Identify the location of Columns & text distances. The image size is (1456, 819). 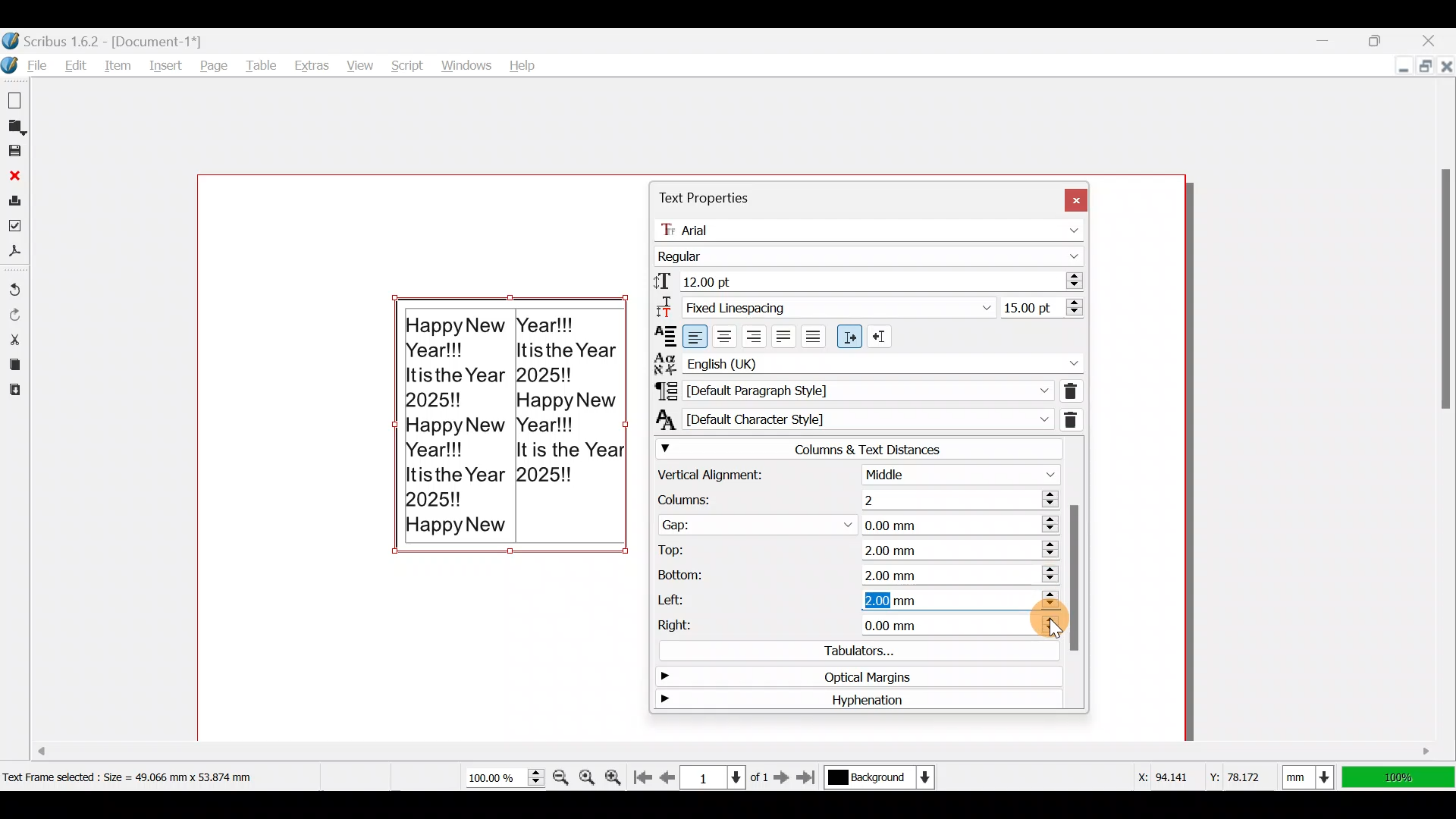
(857, 449).